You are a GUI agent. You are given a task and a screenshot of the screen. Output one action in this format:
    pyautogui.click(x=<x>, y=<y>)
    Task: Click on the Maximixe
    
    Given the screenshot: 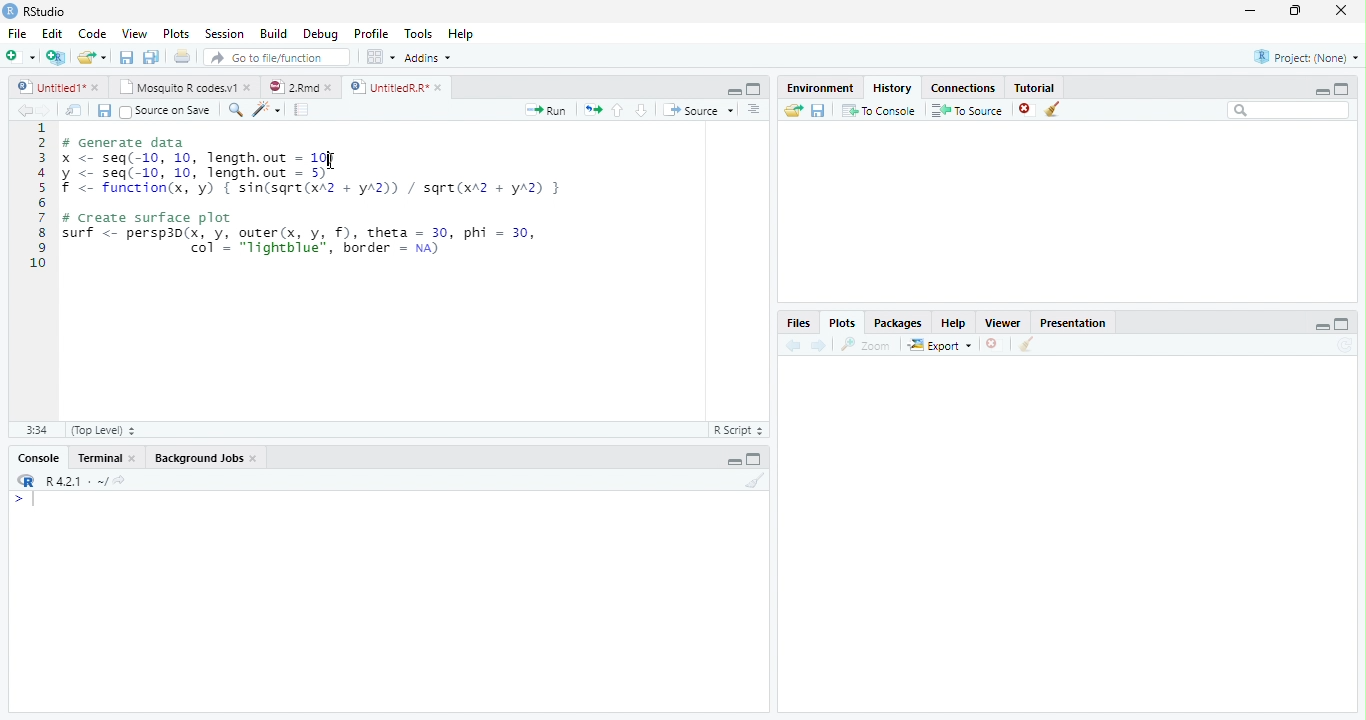 What is the action you would take?
    pyautogui.click(x=754, y=88)
    